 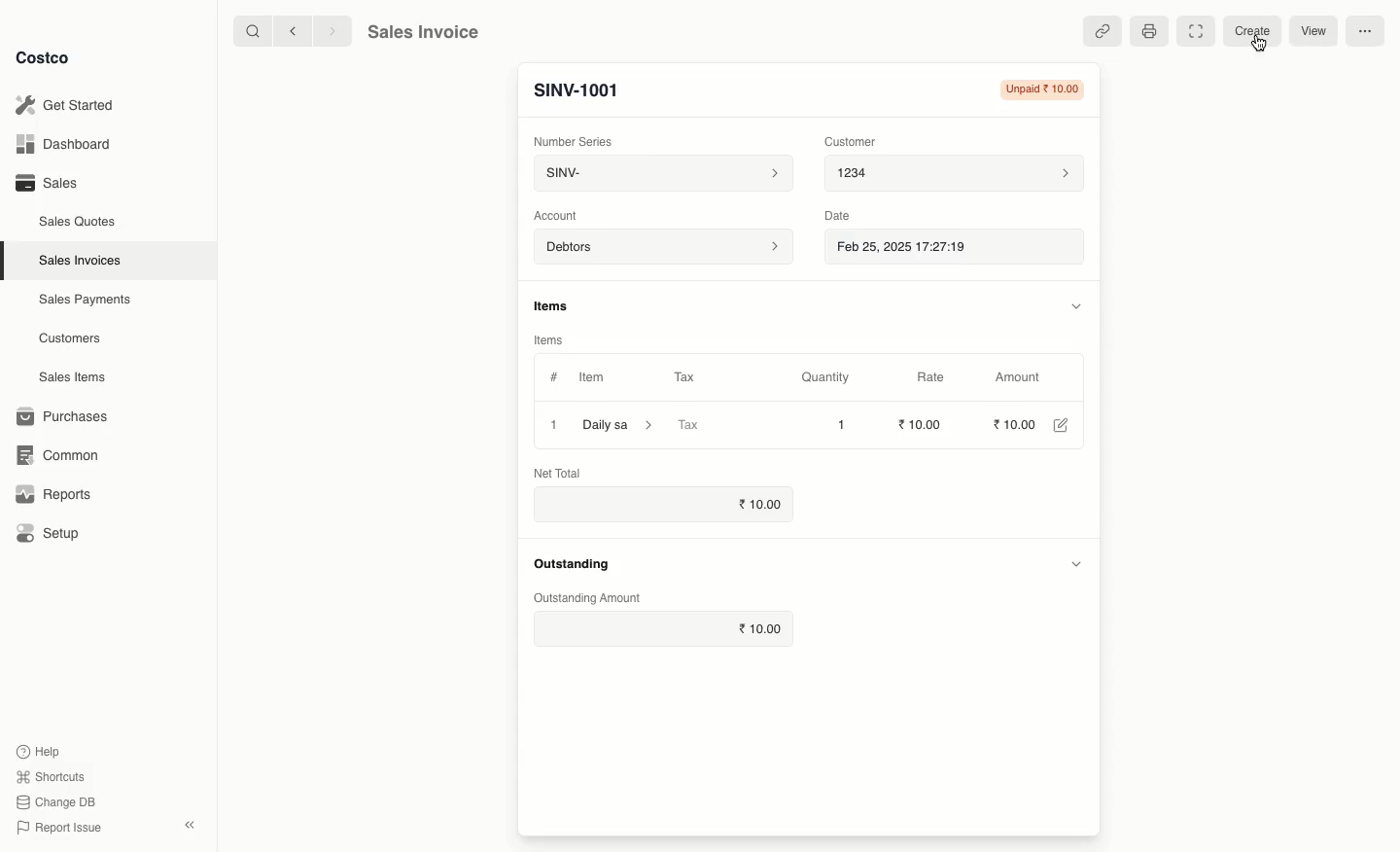 What do you see at coordinates (621, 424) in the screenshot?
I see `Daily sa` at bounding box center [621, 424].